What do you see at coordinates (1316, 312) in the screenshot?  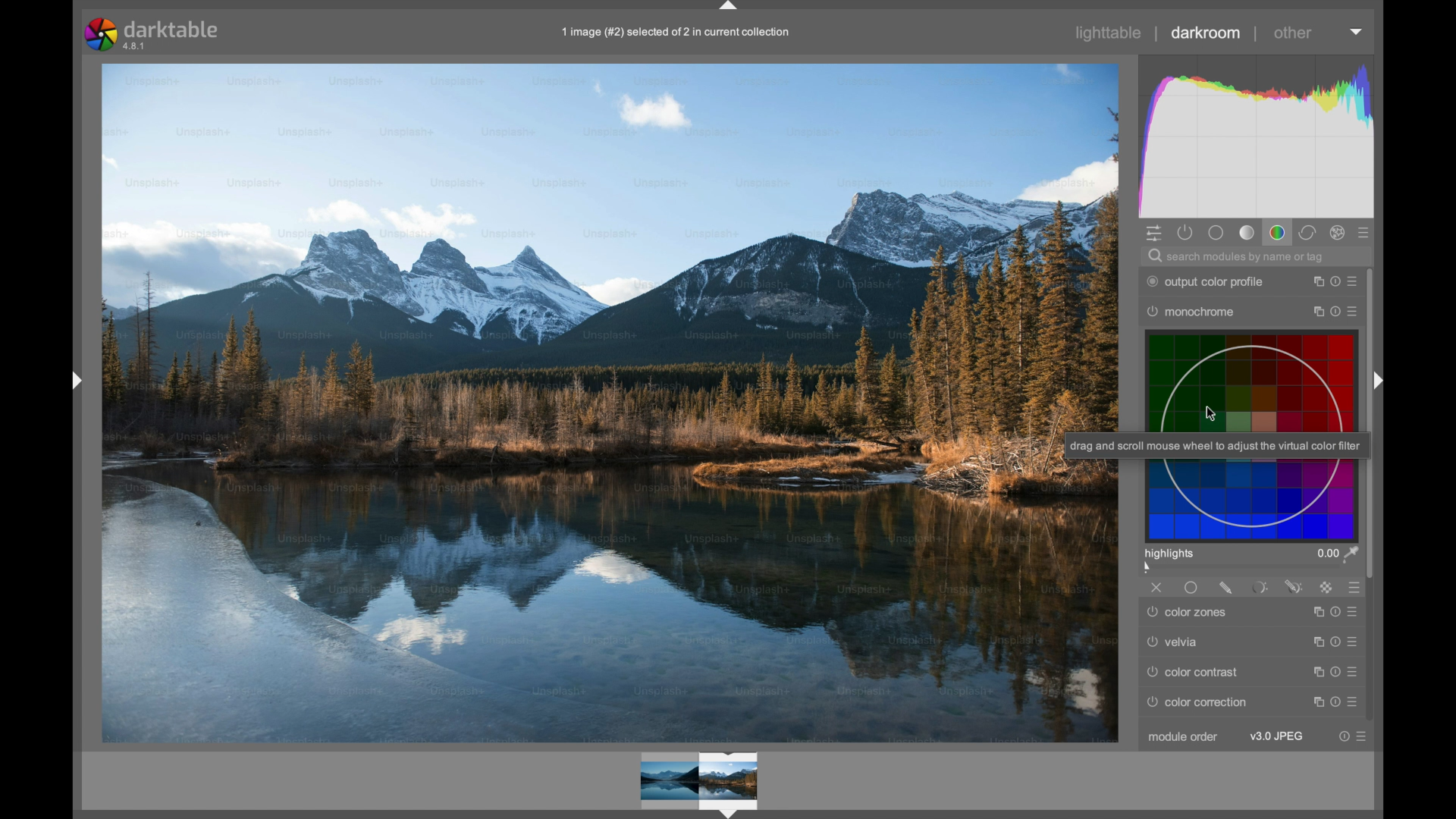 I see `instance` at bounding box center [1316, 312].